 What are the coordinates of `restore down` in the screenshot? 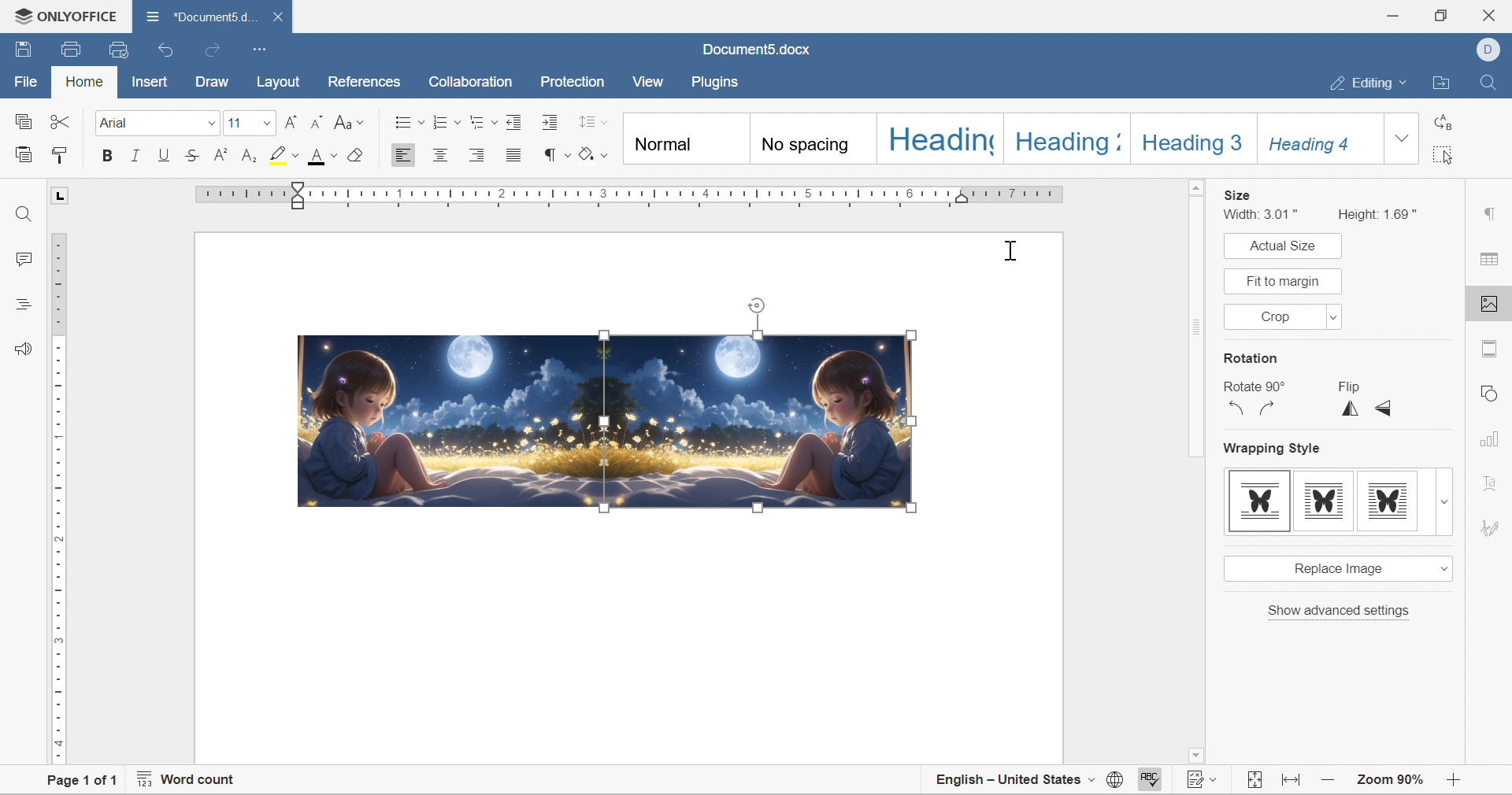 It's located at (1439, 13).